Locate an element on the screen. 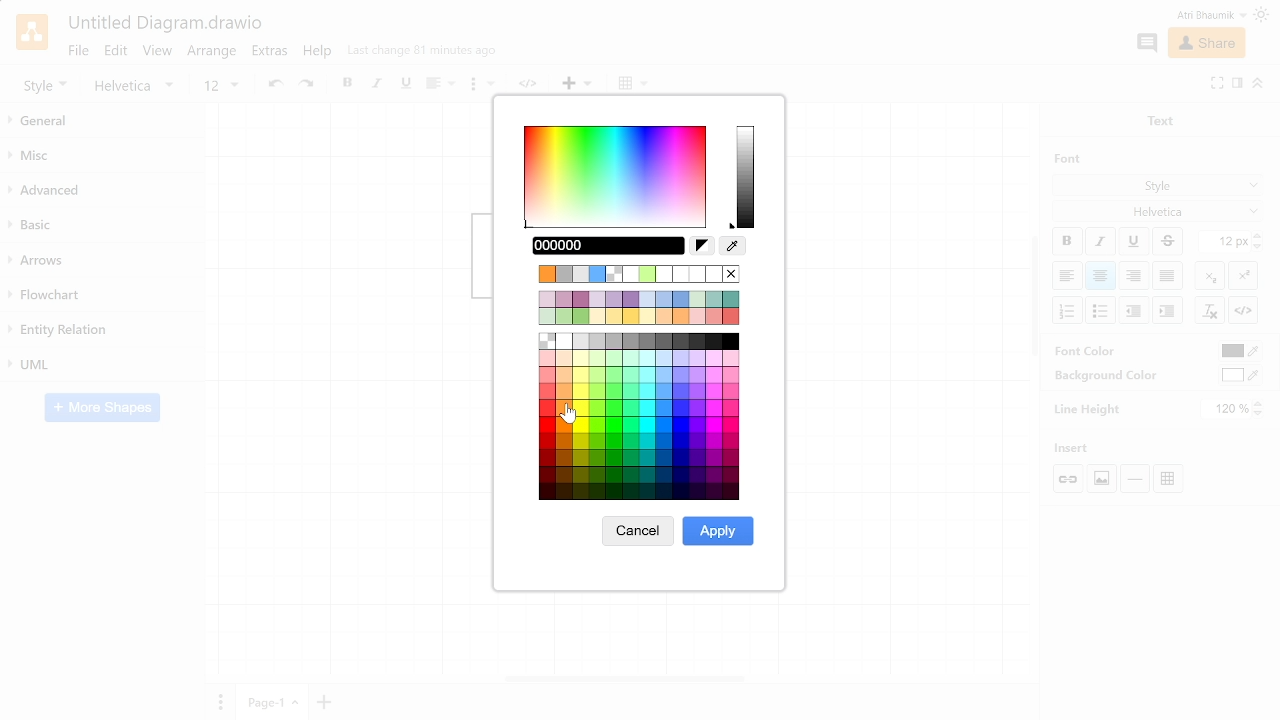 This screenshot has width=1280, height=720. Misc is located at coordinates (103, 158).